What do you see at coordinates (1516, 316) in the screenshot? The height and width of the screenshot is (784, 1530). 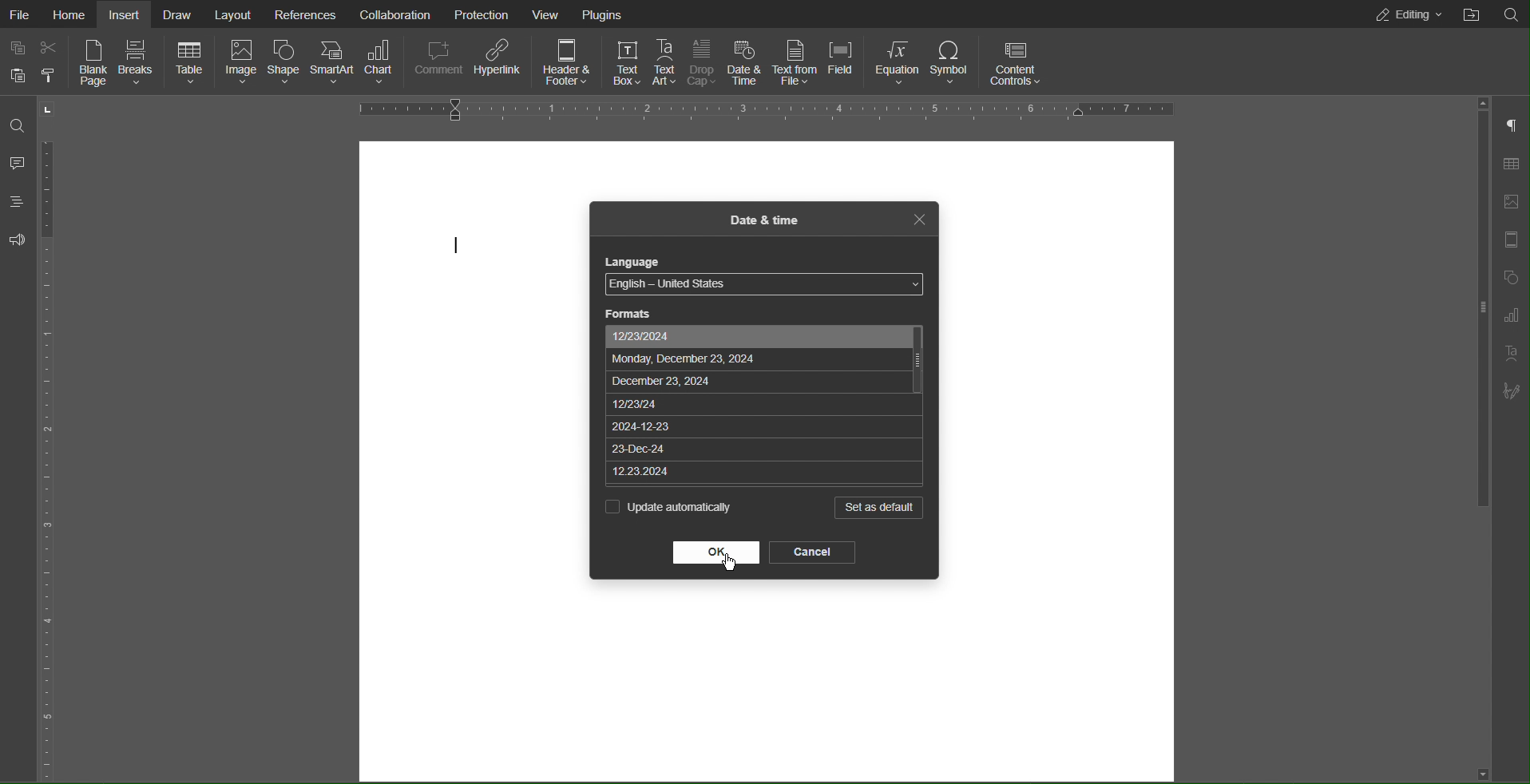 I see `Graph Settings` at bounding box center [1516, 316].